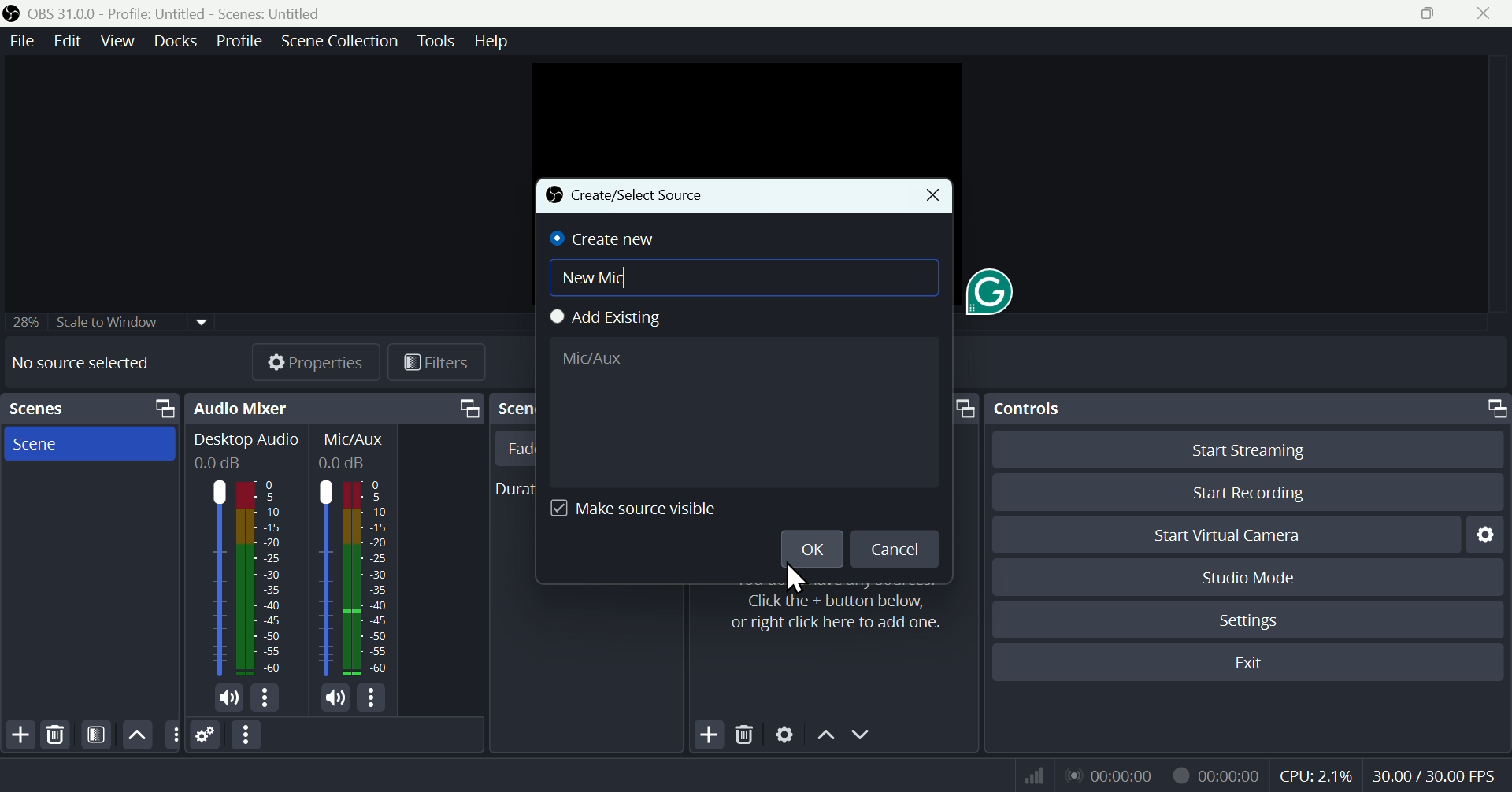 The height and width of the screenshot is (792, 1512). I want to click on No source selected, so click(80, 362).